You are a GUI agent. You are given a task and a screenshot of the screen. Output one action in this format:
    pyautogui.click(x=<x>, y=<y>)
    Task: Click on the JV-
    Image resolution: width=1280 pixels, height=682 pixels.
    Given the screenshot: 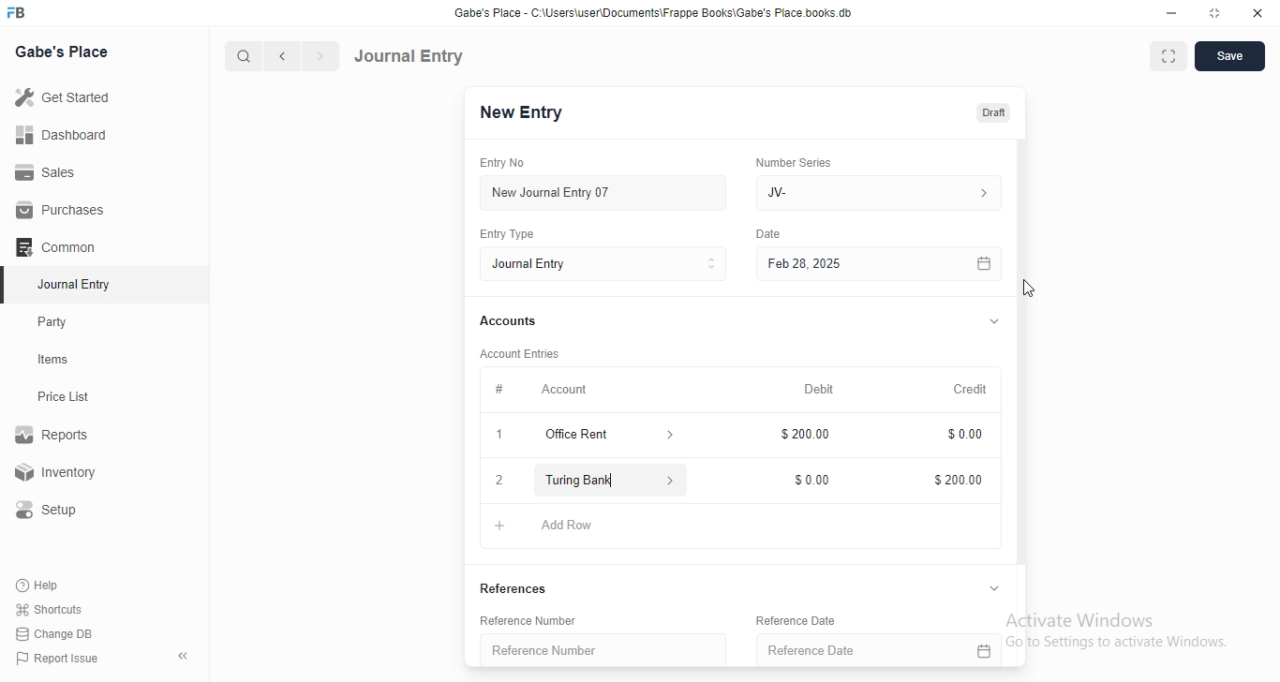 What is the action you would take?
    pyautogui.click(x=883, y=193)
    